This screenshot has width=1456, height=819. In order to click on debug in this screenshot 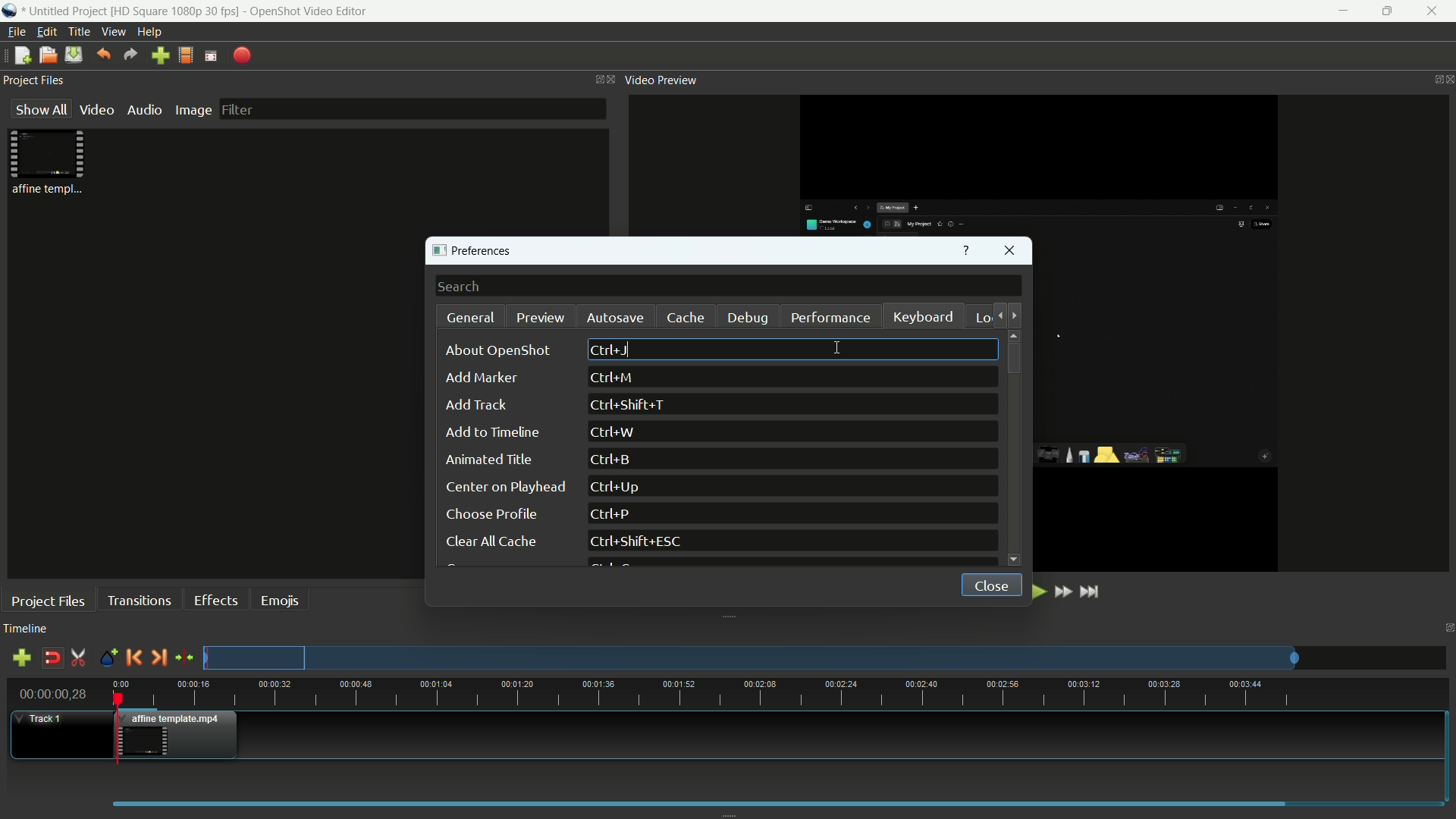, I will do `click(750, 318)`.